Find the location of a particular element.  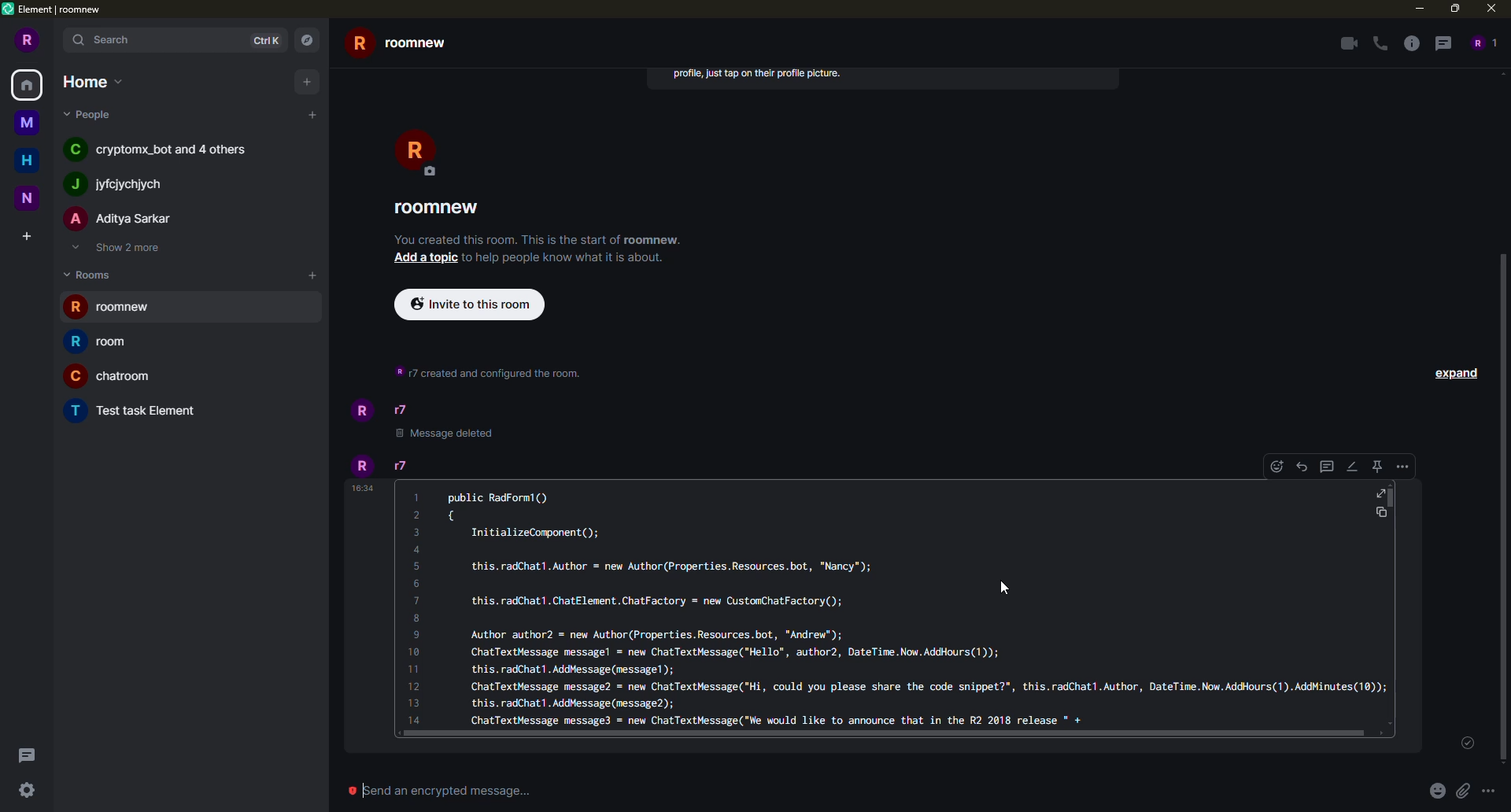

profile is located at coordinates (364, 409).